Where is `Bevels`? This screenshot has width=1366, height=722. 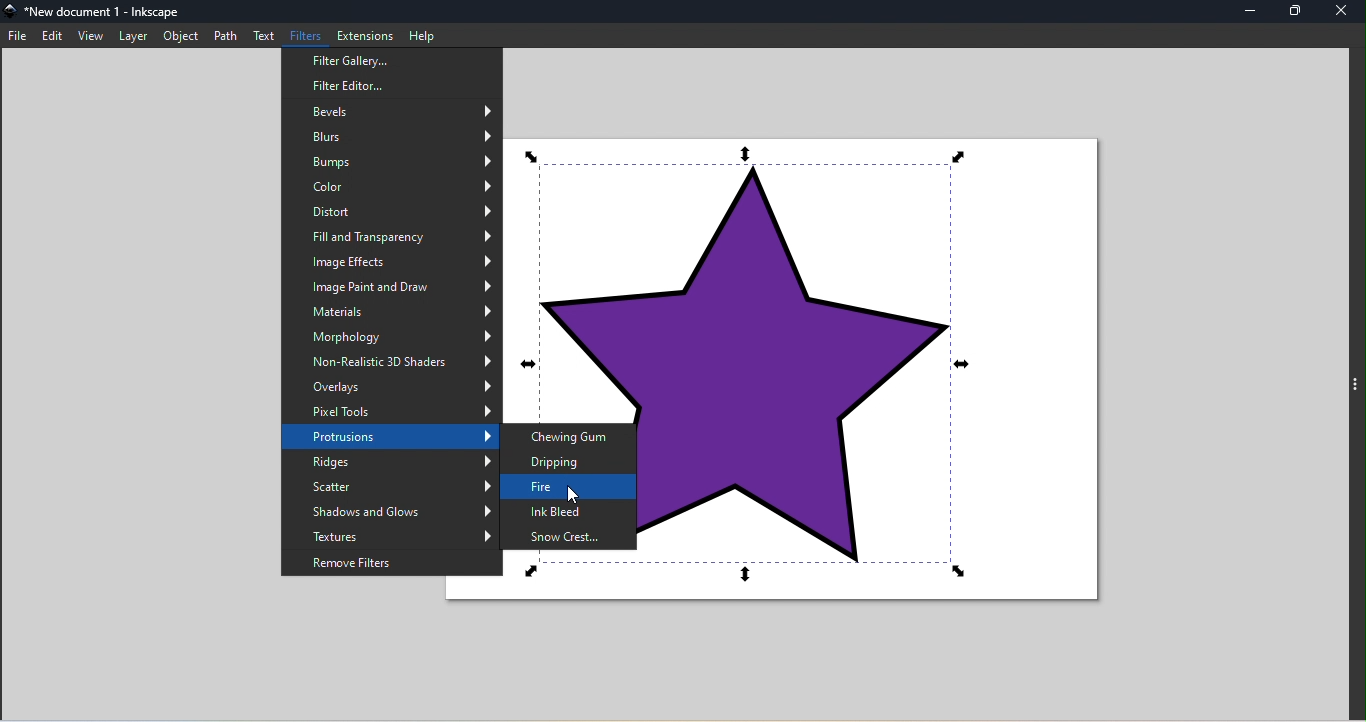 Bevels is located at coordinates (392, 111).